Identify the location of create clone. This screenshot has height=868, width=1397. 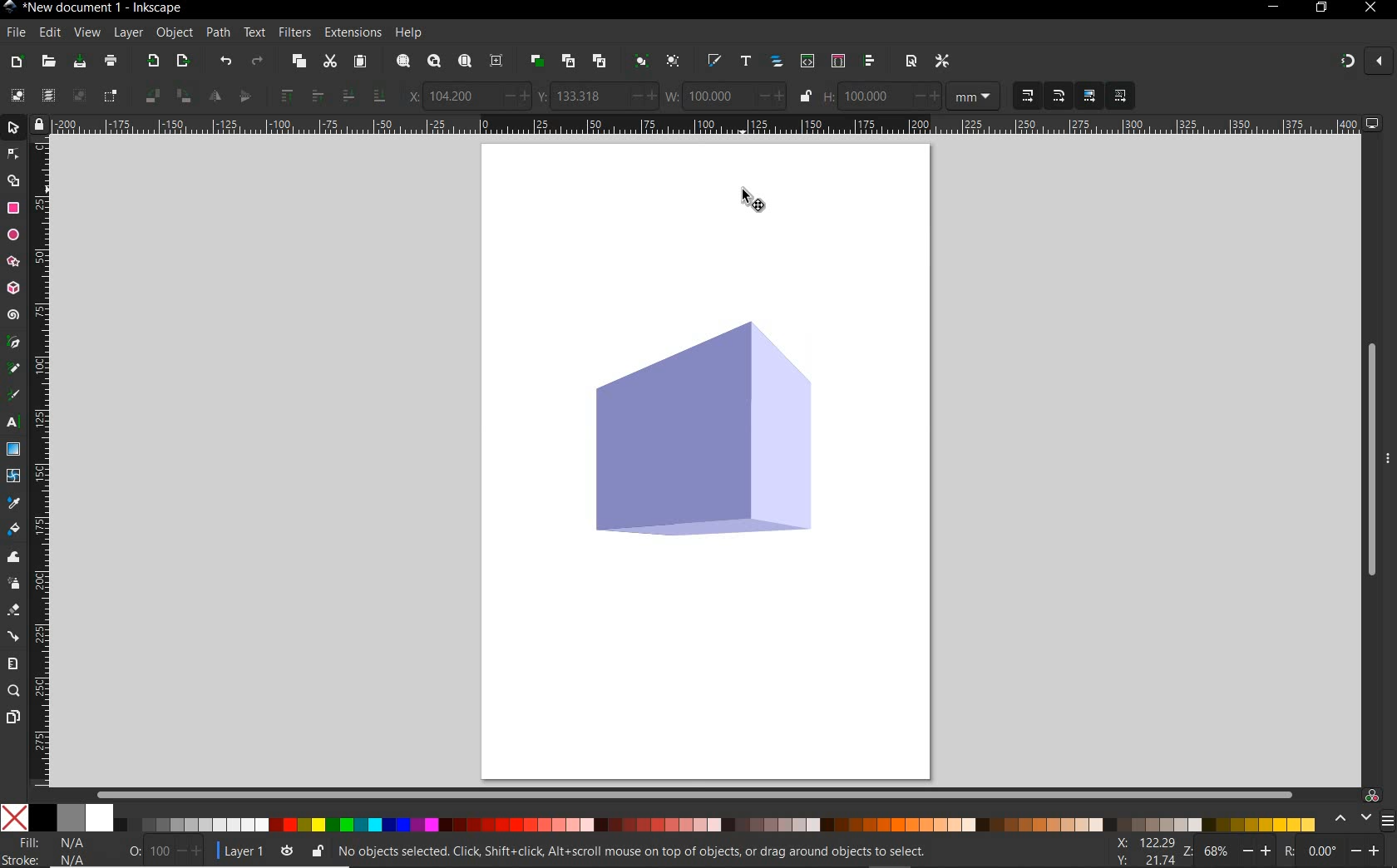
(567, 61).